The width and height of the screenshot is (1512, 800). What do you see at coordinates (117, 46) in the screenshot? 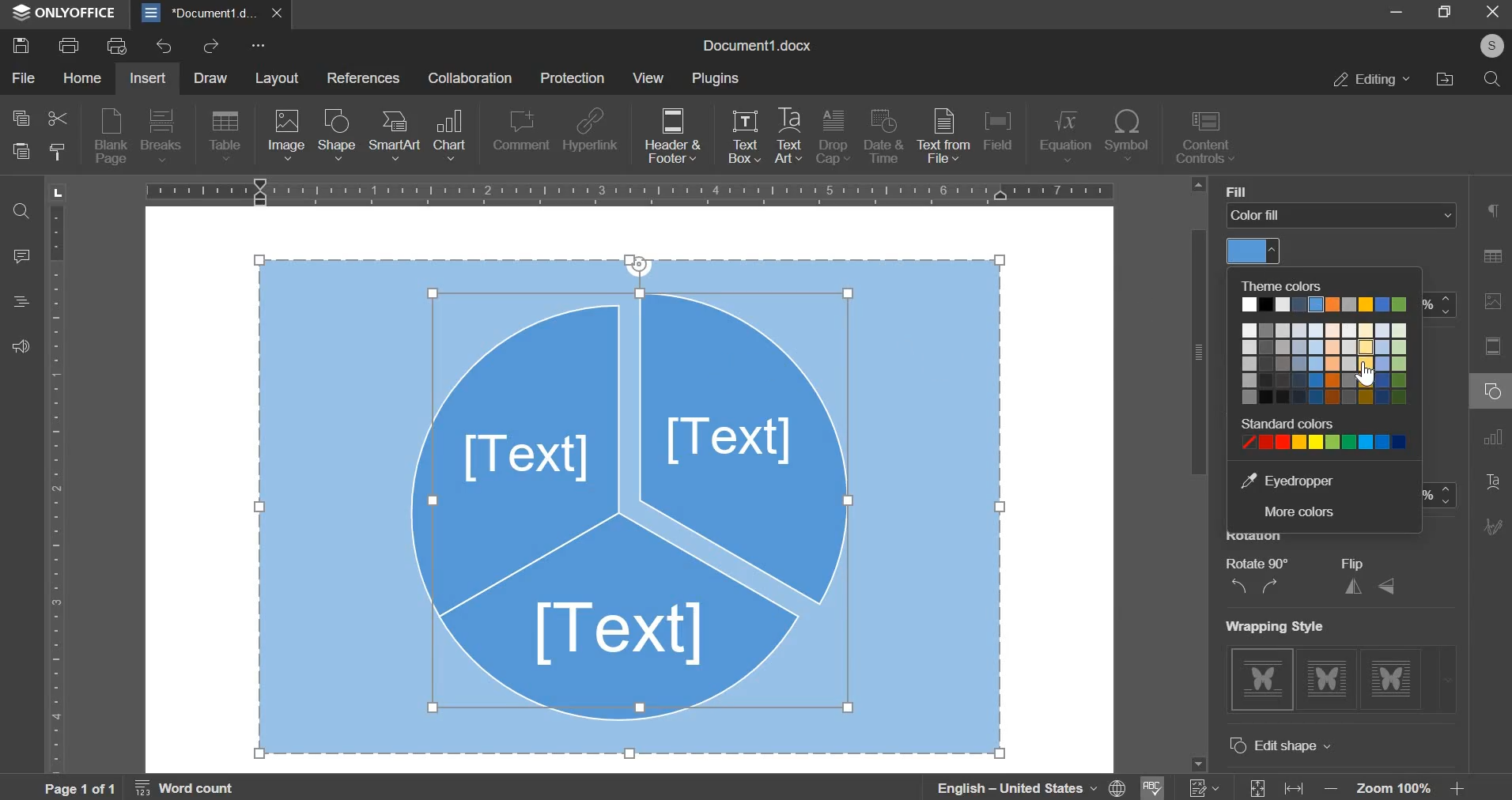
I see `print previw` at bounding box center [117, 46].